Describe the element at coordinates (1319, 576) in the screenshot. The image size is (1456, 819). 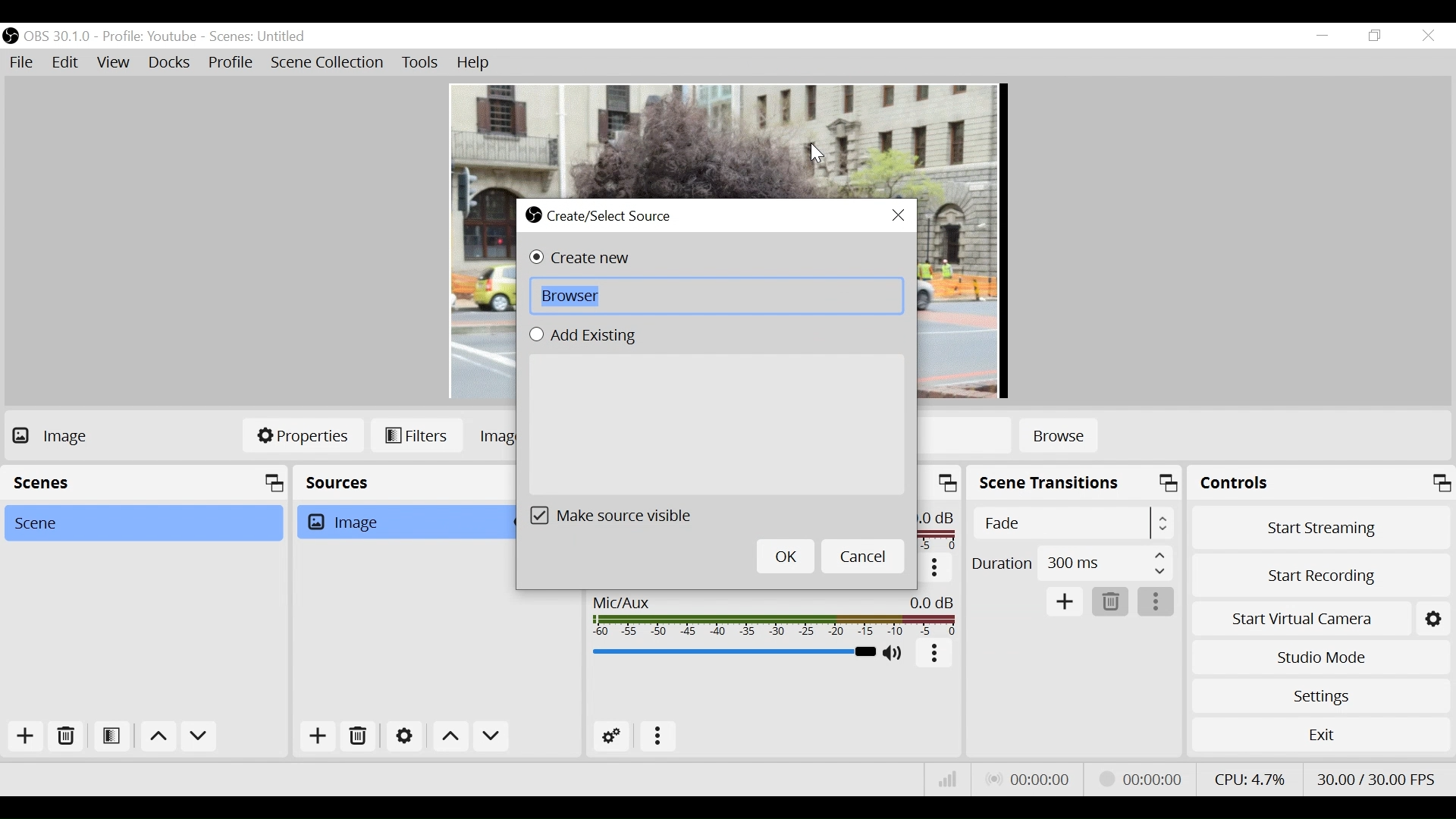
I see `Start Recording` at that location.